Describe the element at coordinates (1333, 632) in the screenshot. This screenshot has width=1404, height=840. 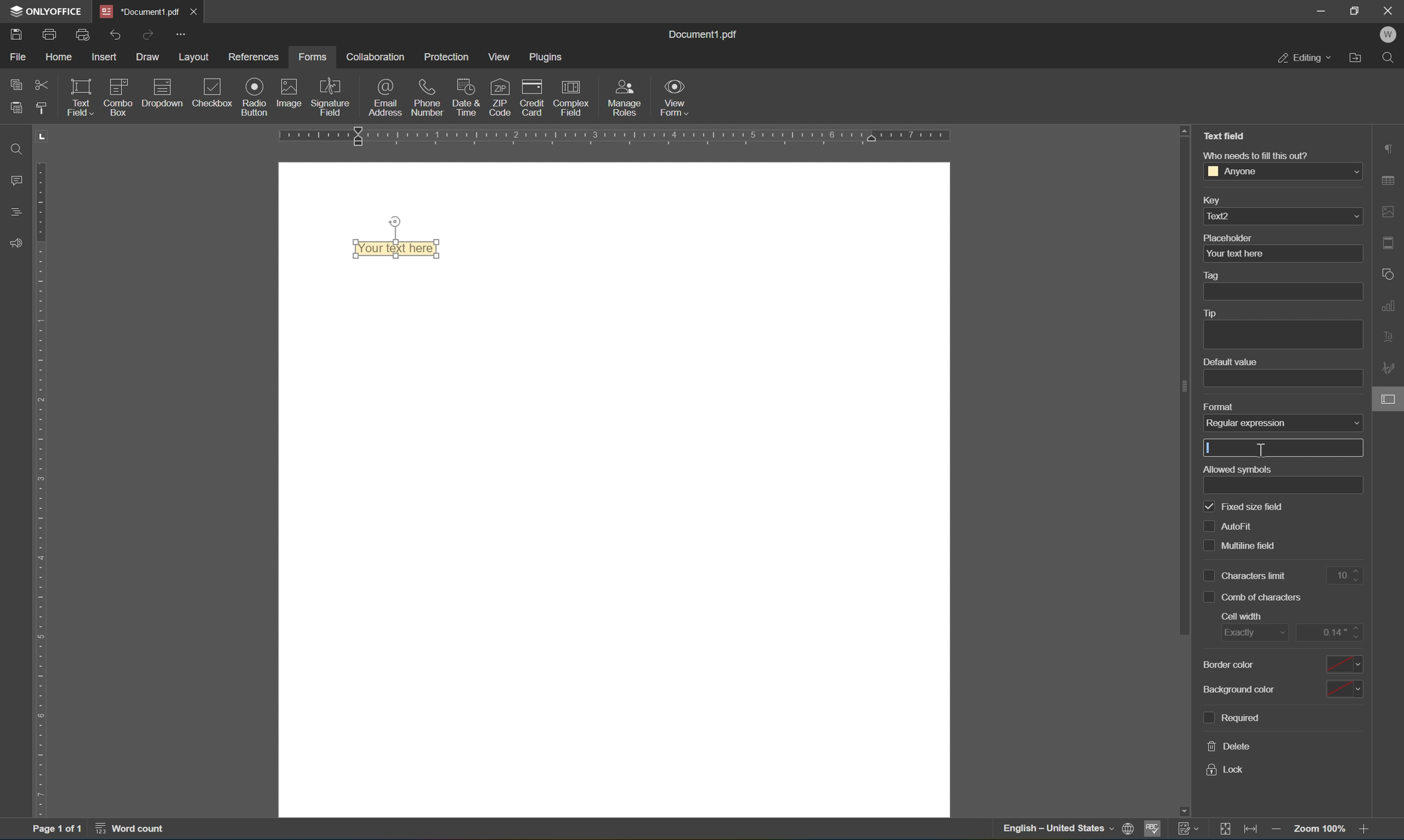
I see `0.14` at that location.